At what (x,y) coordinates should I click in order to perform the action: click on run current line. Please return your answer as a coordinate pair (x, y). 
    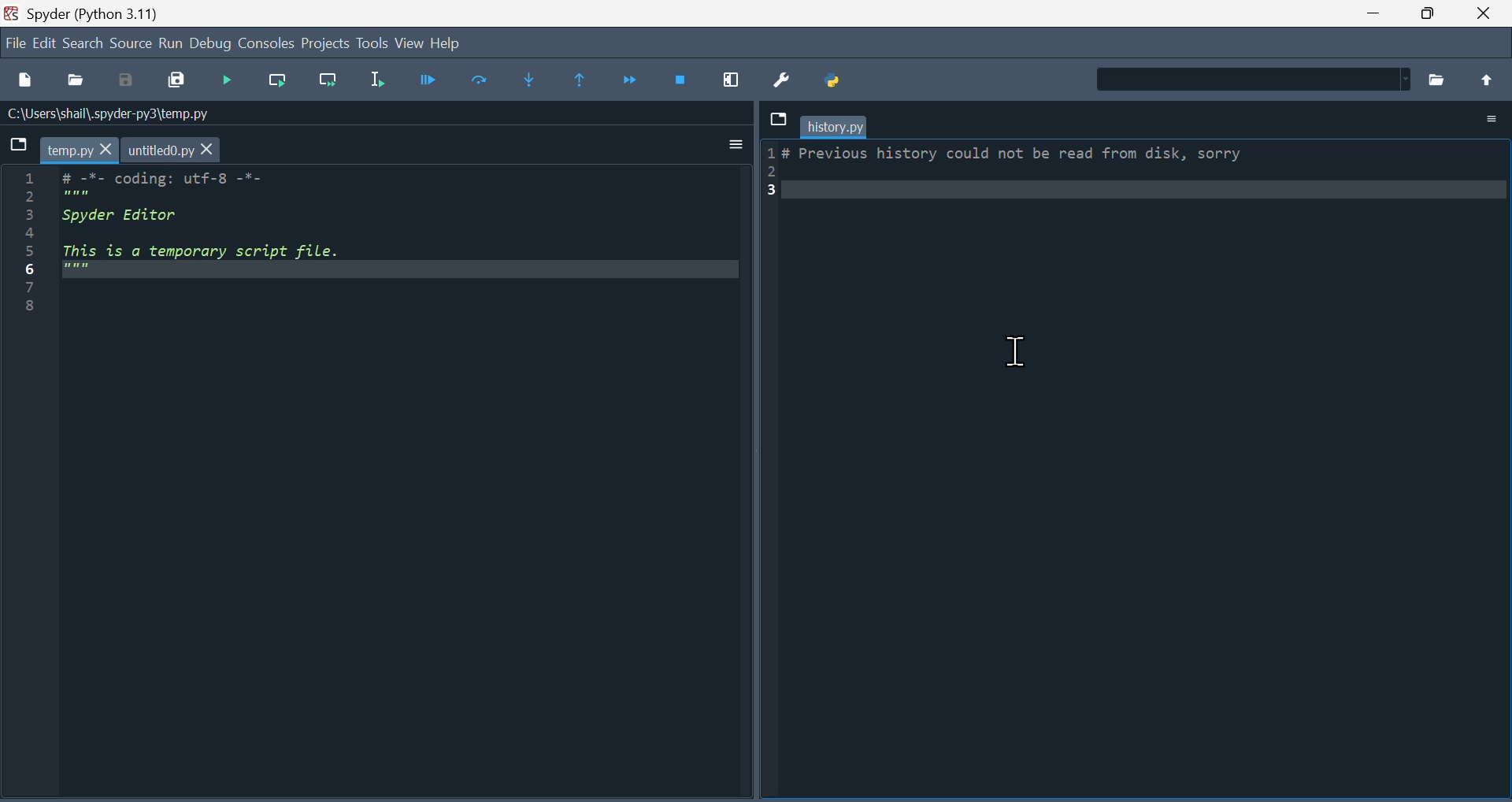
    Looking at the image, I should click on (277, 79).